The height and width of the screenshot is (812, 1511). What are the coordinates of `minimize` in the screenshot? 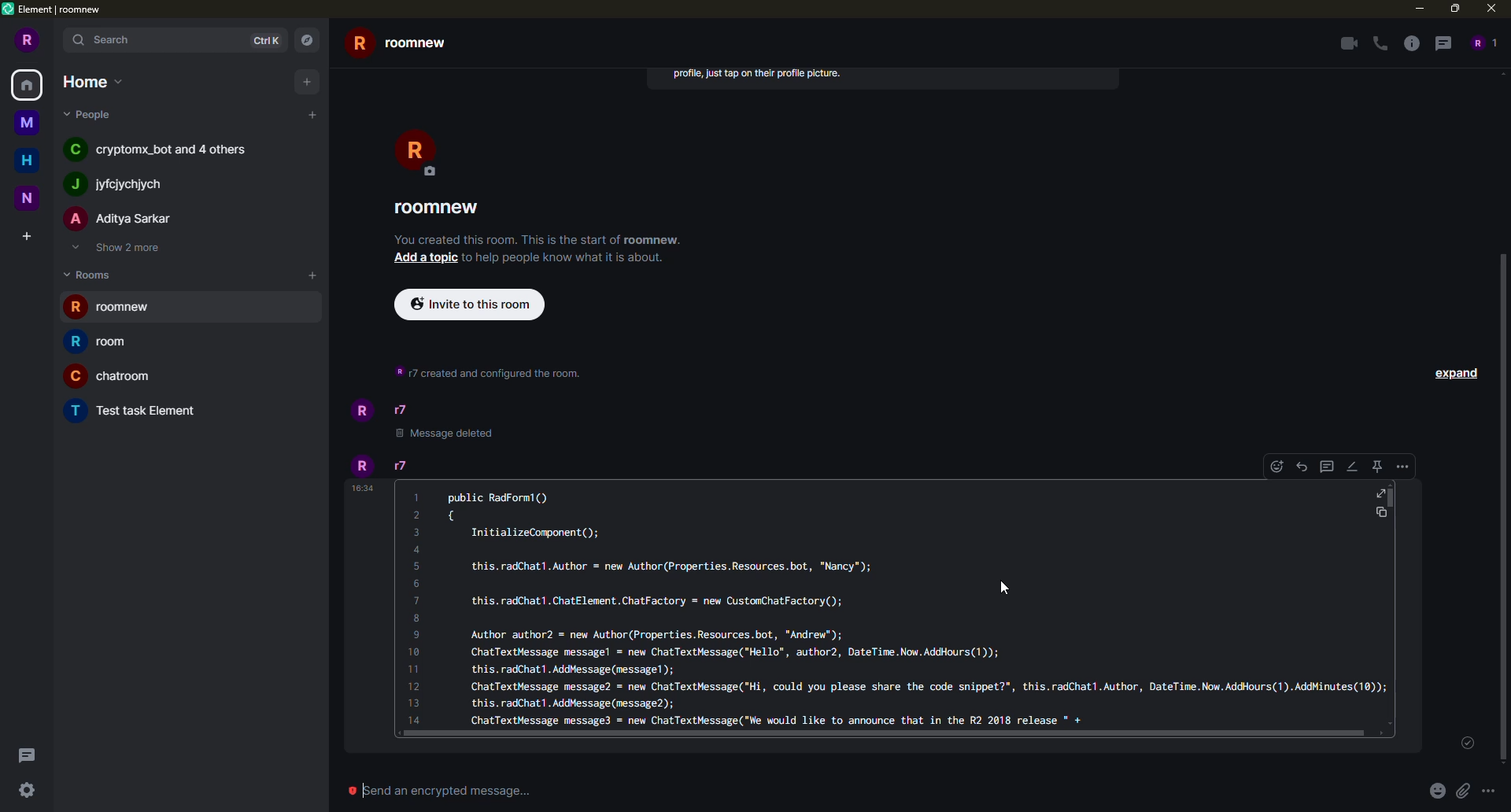 It's located at (1417, 8).